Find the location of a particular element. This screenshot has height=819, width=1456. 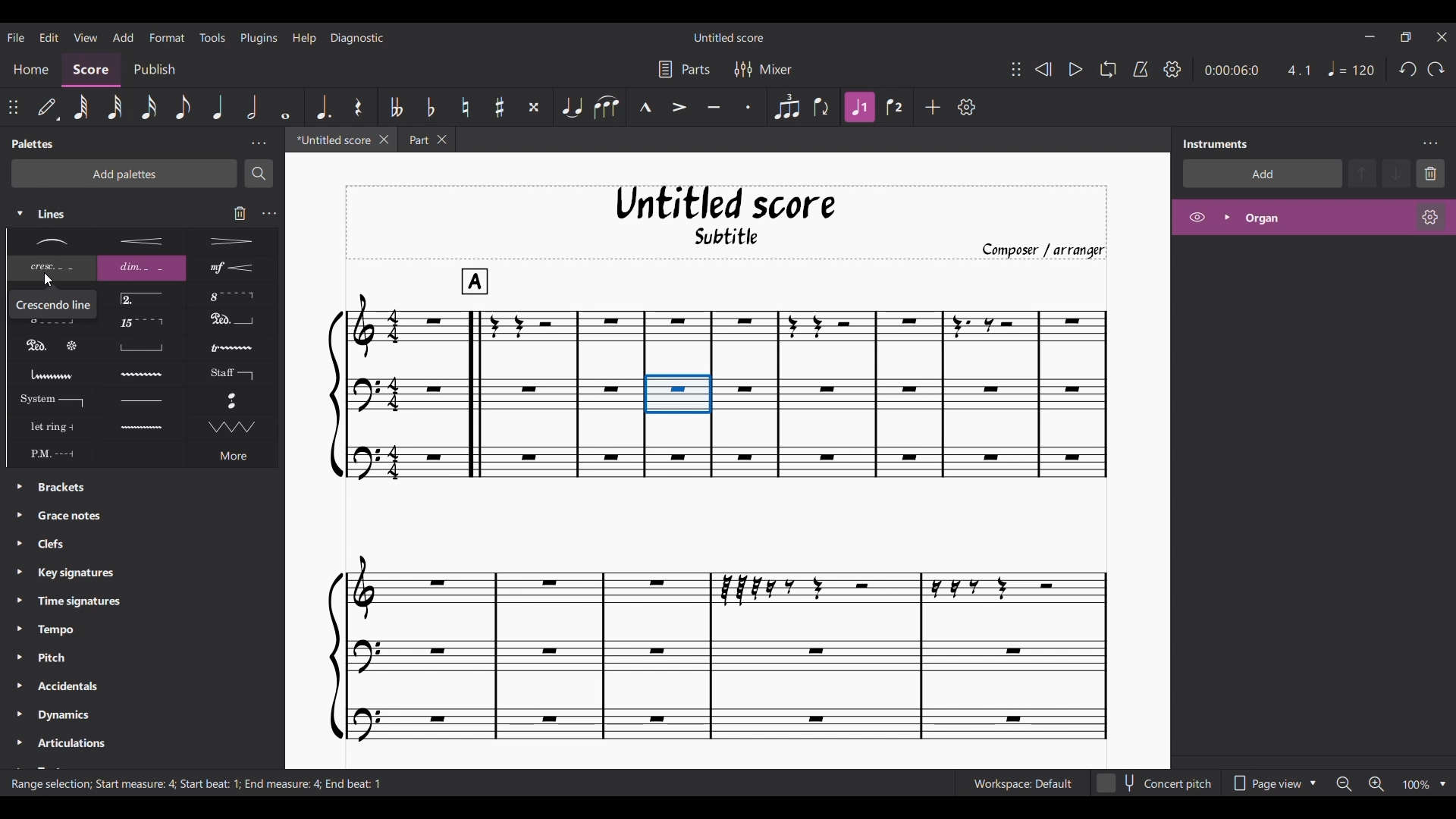

Delete is located at coordinates (1430, 174).